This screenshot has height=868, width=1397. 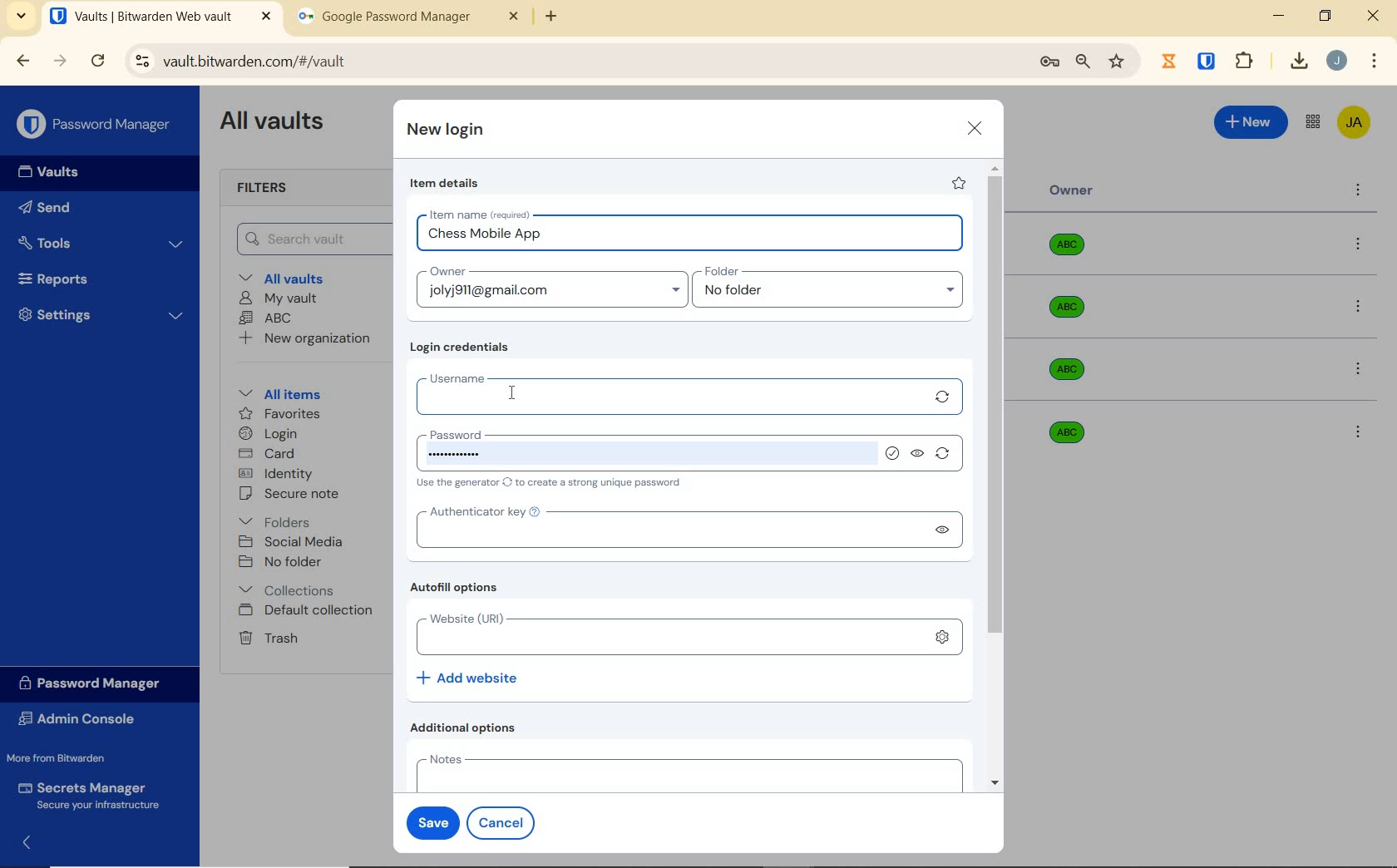 What do you see at coordinates (288, 590) in the screenshot?
I see `collection` at bounding box center [288, 590].